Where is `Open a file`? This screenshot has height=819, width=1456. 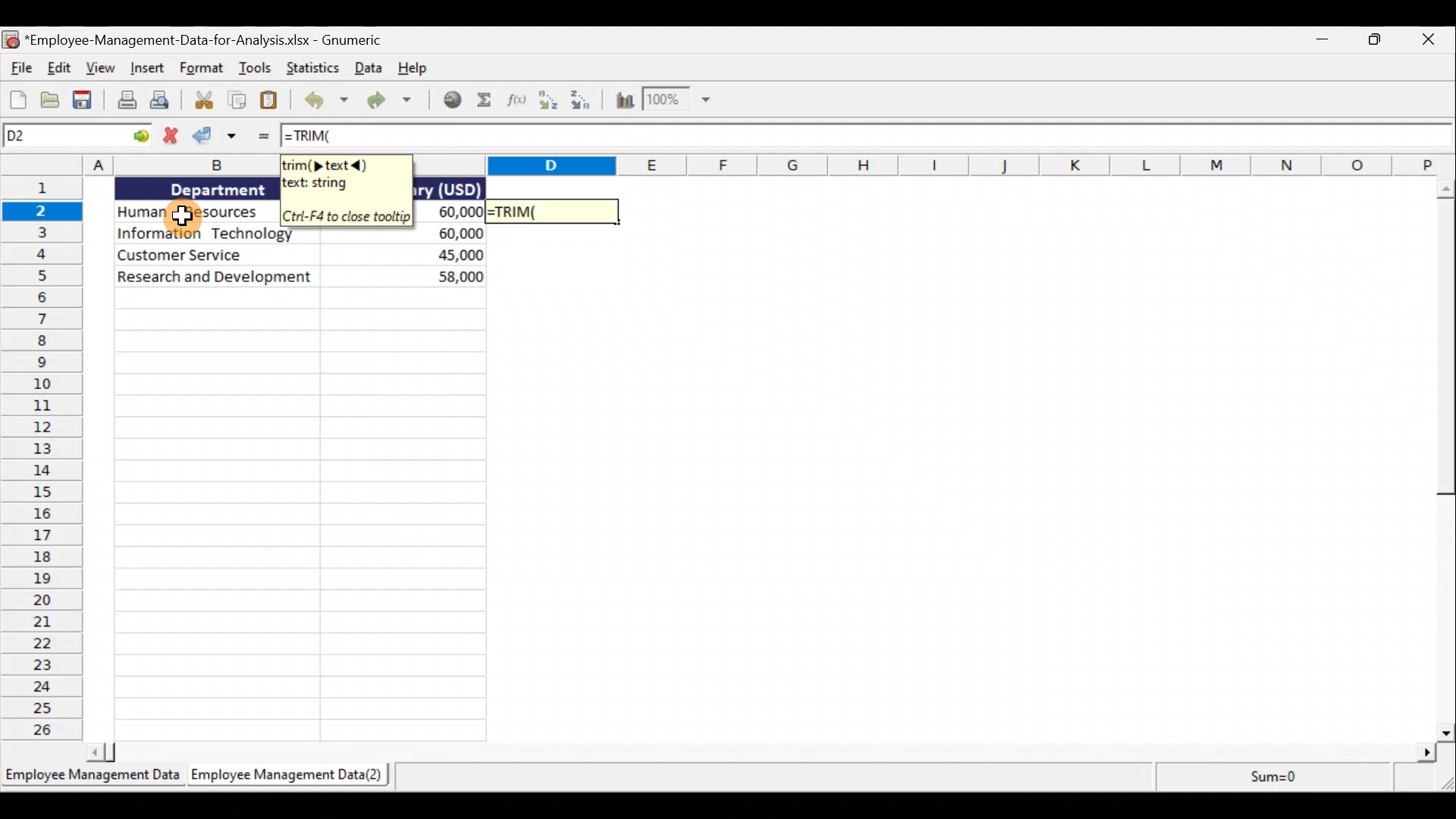 Open a file is located at coordinates (53, 99).